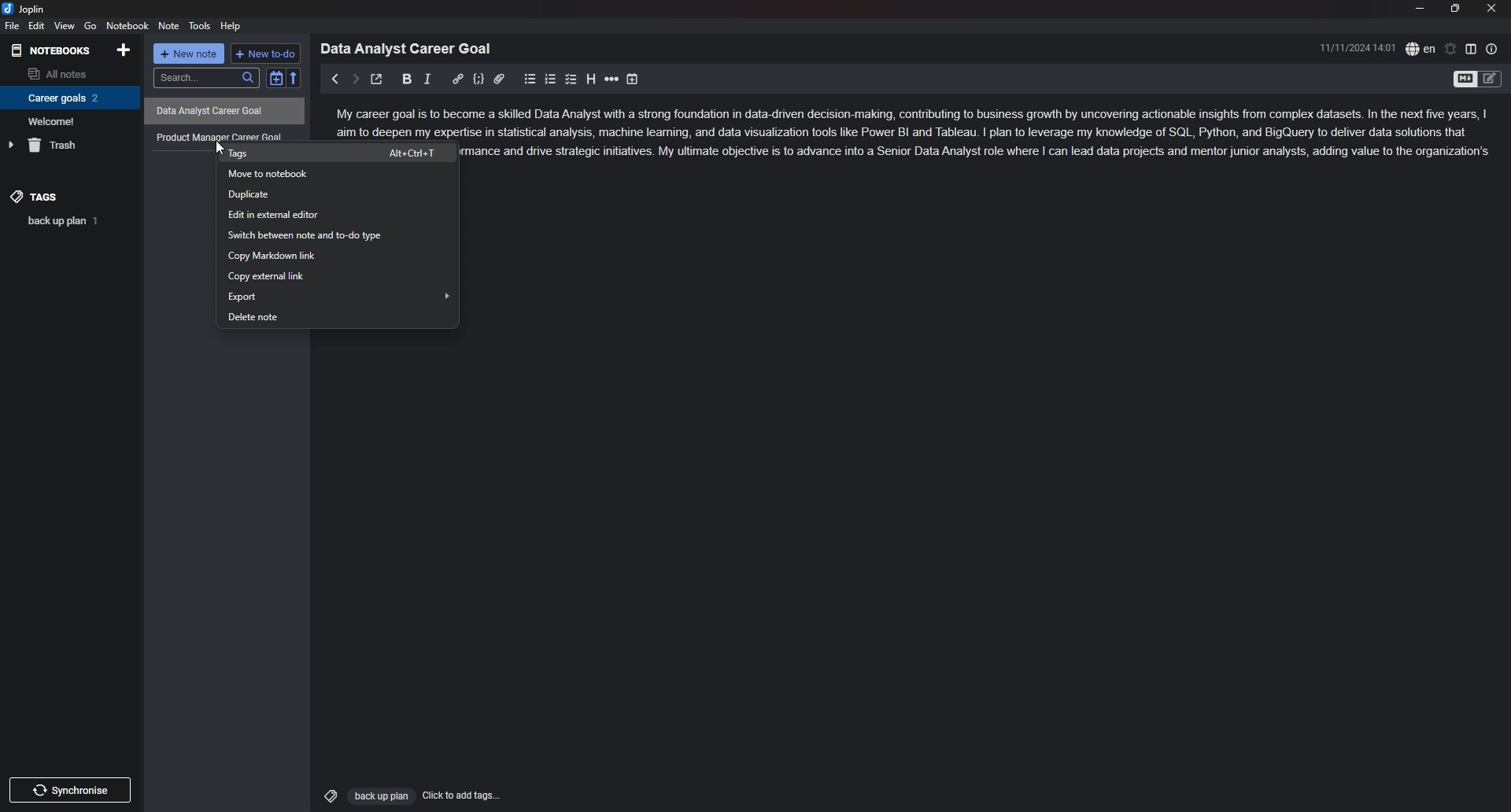  I want to click on ome a skilled Data Analyst with a strong foundation in data-driven decision-making, contributing to business growth by uncovering actionable insights from complex datasets. In the next five years, |
ise in statistical analysis, machine leaning, and data visualization tools like Power BI and Tableau. | pian to leverage my knowledge of SQL, Python, and BigQuery to deliver data solutions that
mance and drive strategic initiatives. My ultimate objective is to advance into a Senior Data Analyst role where | can lead data projects and mentor junior analysts, adding value to the organization's, so click(982, 137).